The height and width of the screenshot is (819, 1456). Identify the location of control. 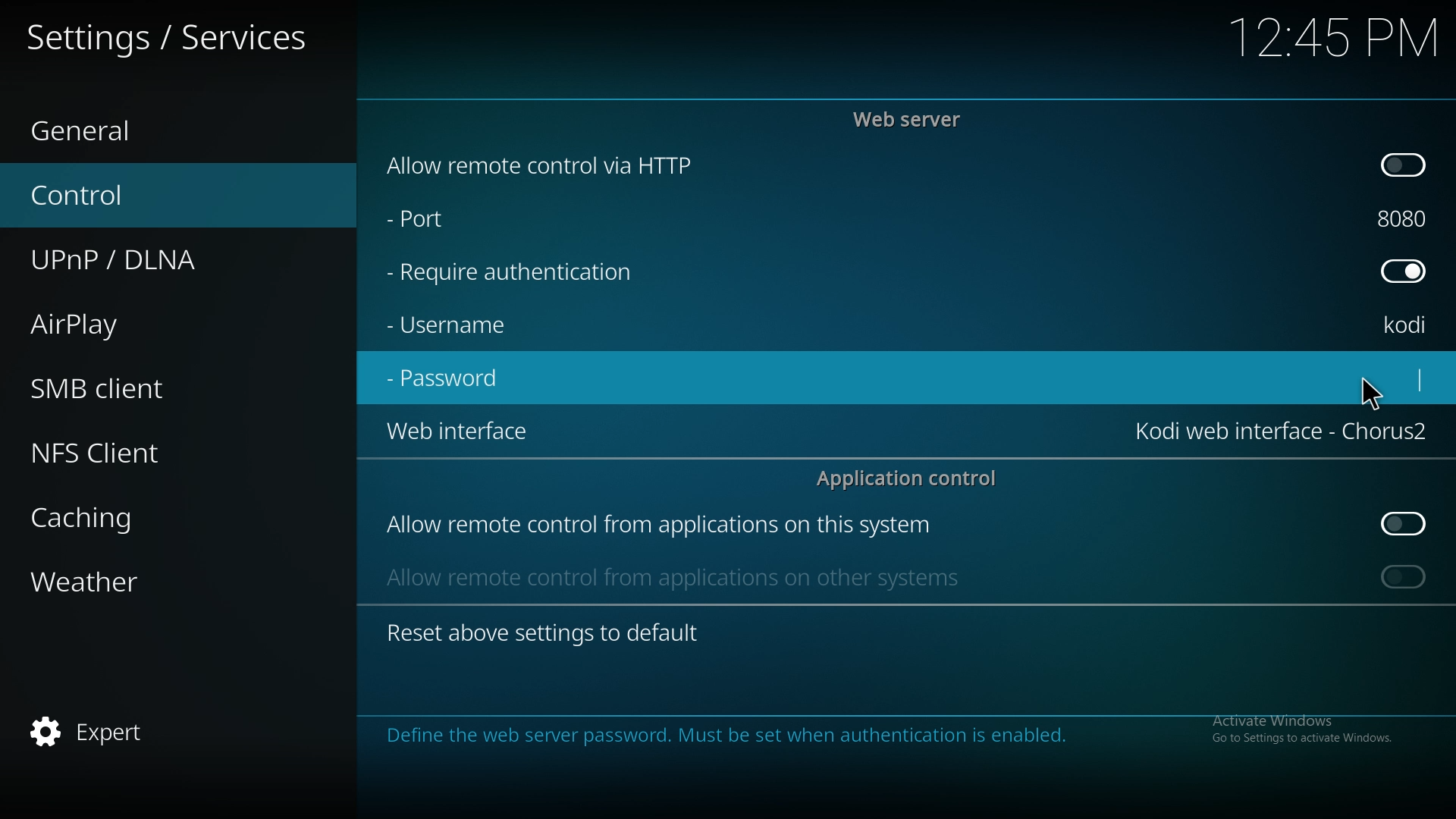
(146, 193).